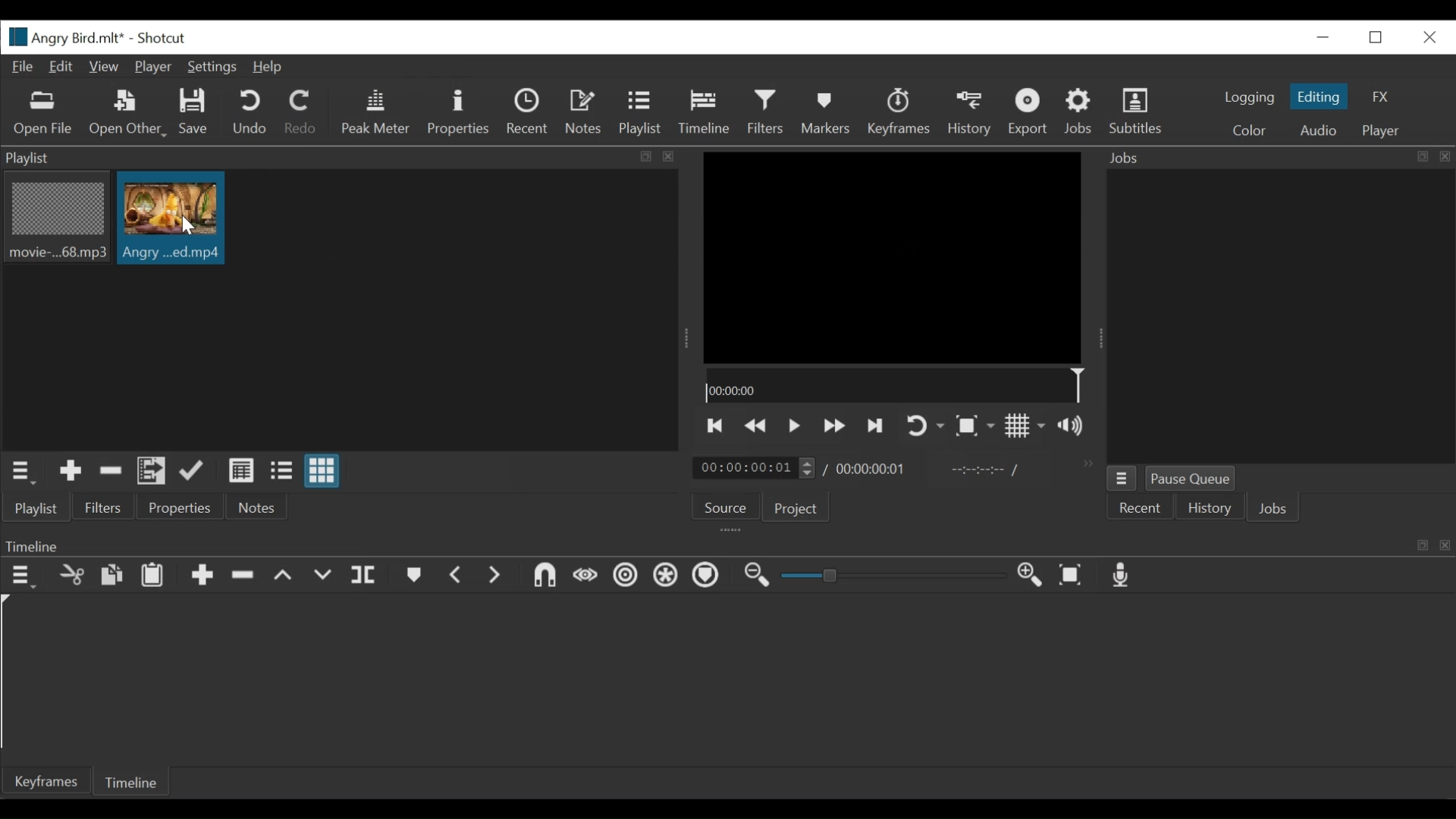 The image size is (1456, 819). Describe the element at coordinates (1426, 36) in the screenshot. I see `Close` at that location.